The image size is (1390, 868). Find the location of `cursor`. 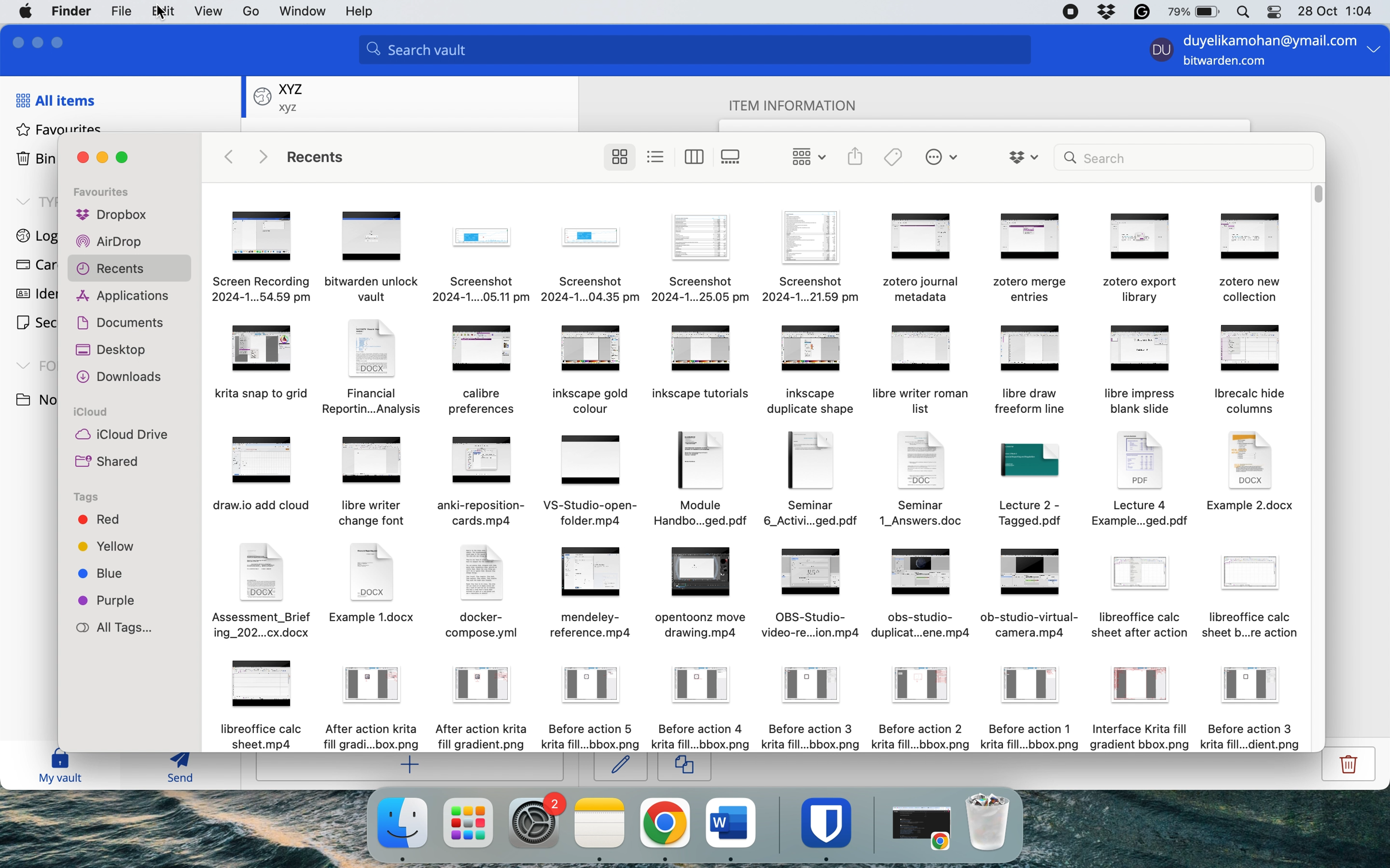

cursor is located at coordinates (404, 848).